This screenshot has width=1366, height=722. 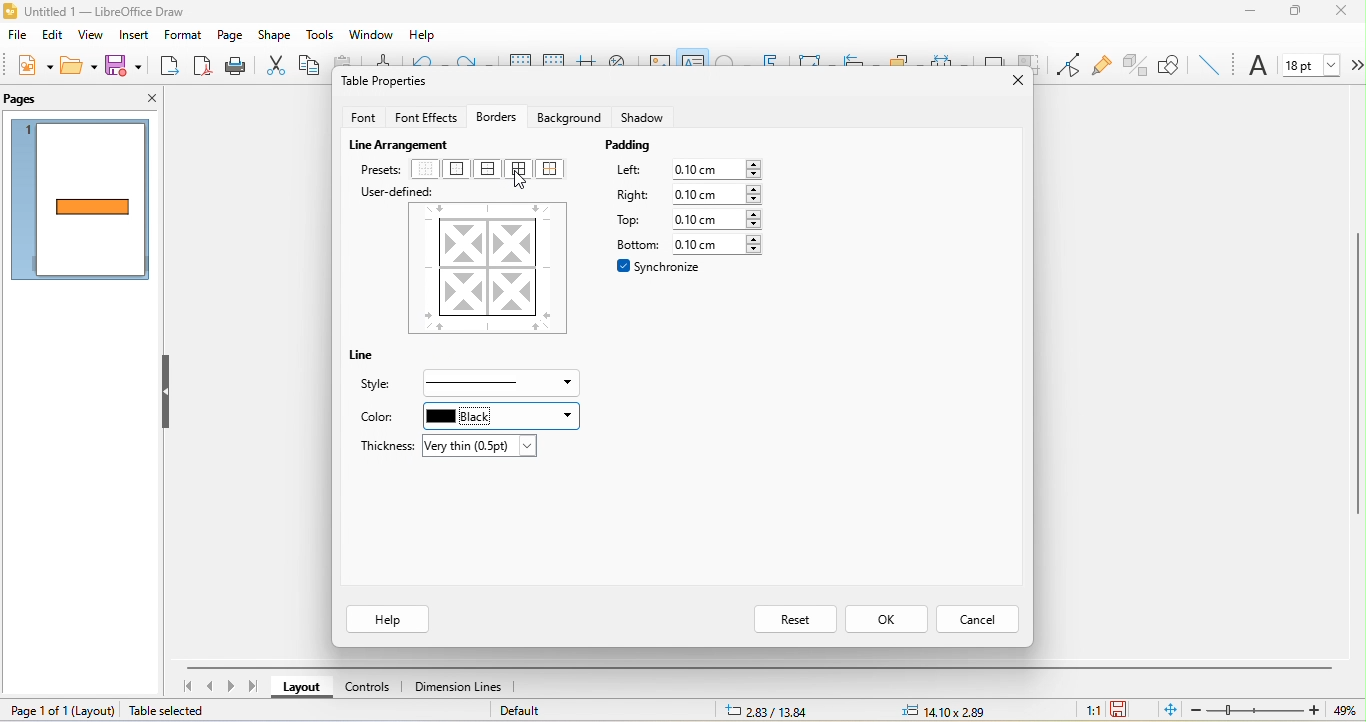 I want to click on synchronize, so click(x=660, y=266).